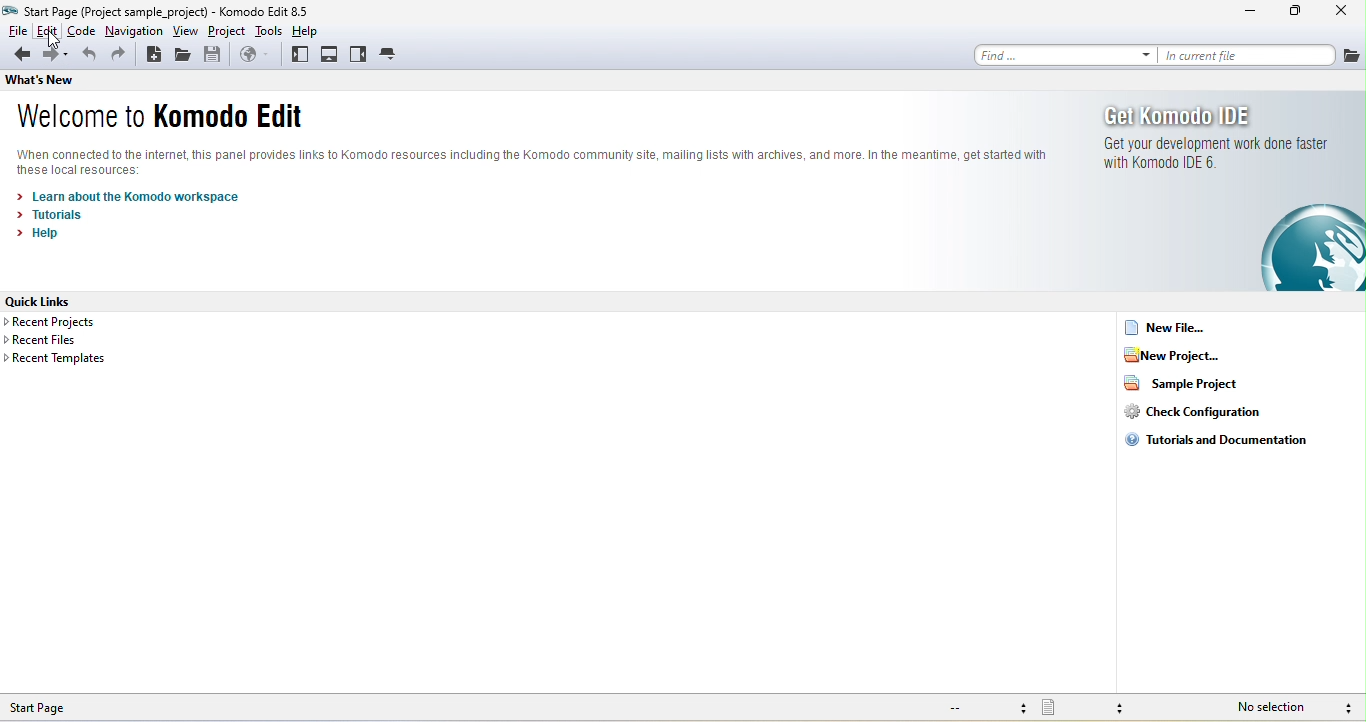 The image size is (1366, 722). I want to click on quick links, so click(48, 299).